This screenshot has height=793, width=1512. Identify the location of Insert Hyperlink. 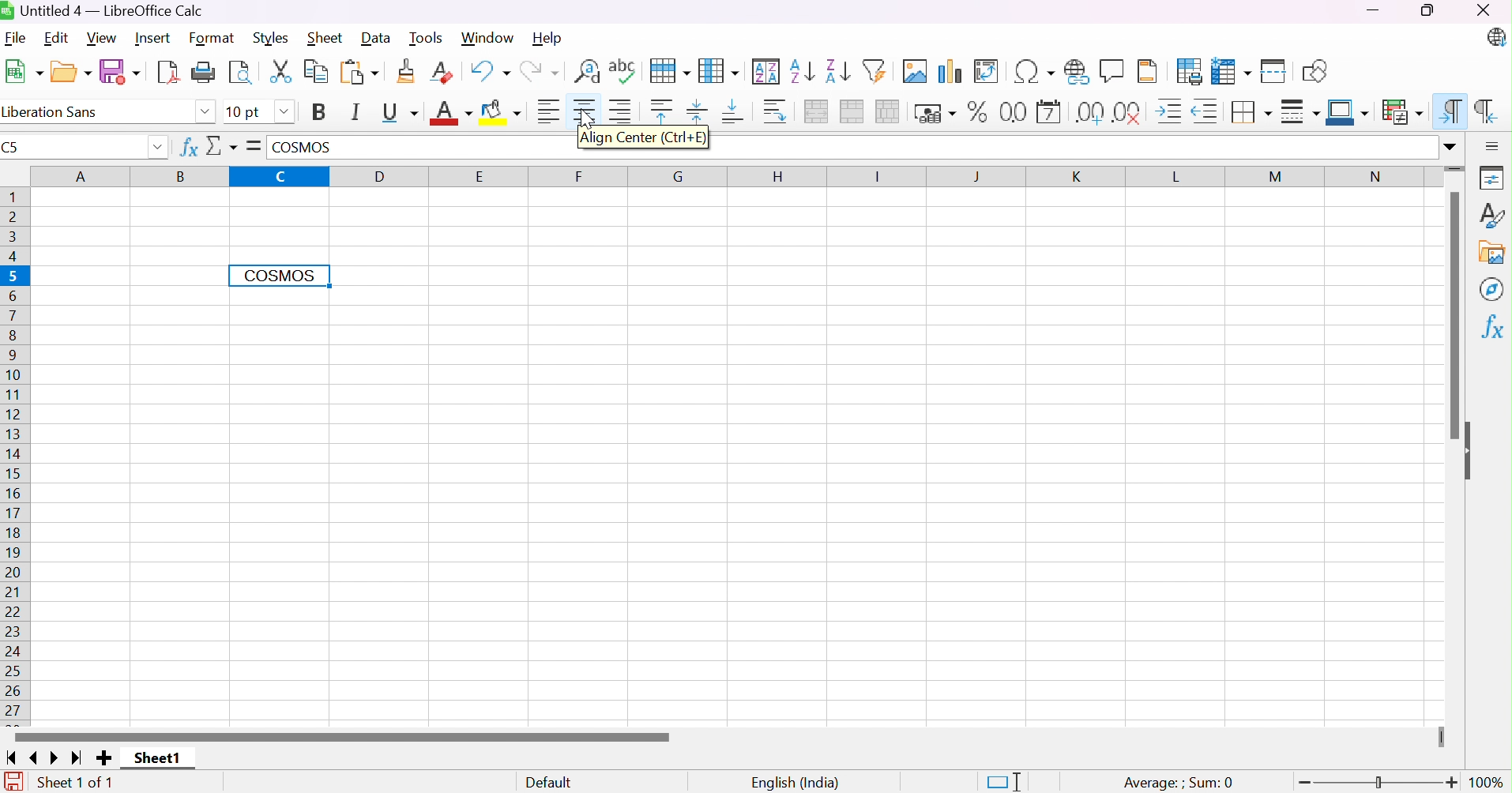
(1077, 71).